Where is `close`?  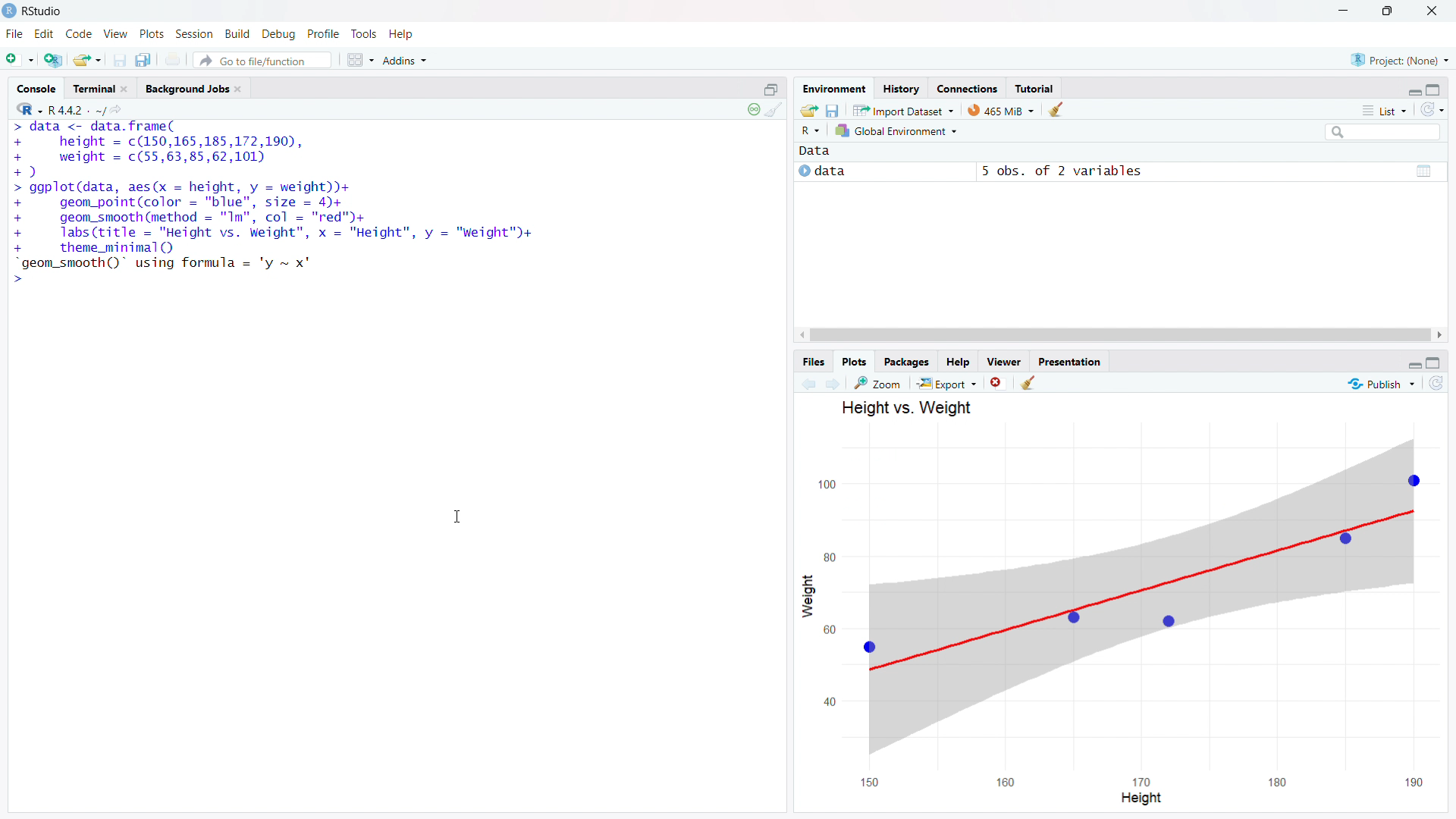
close is located at coordinates (124, 89).